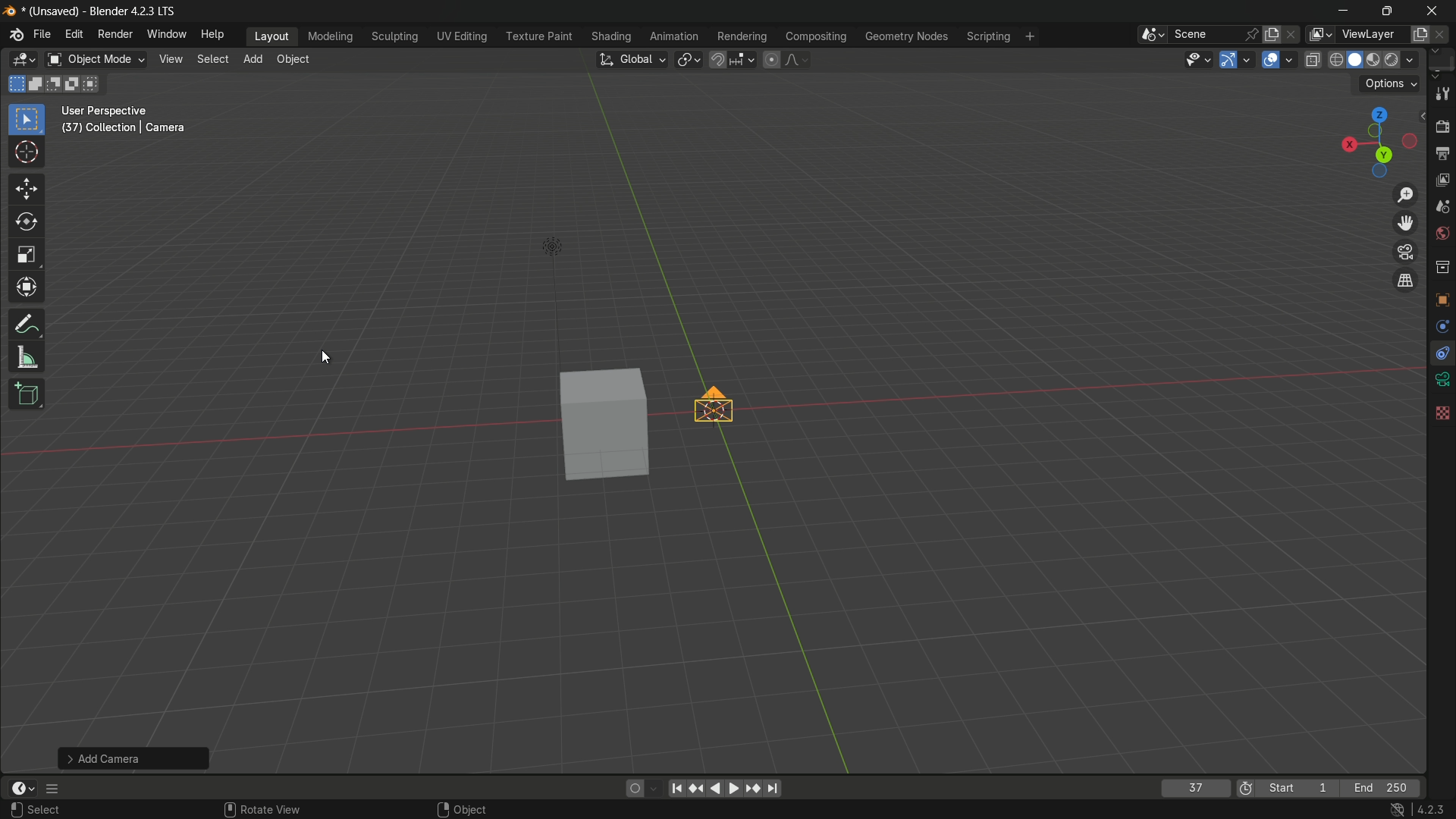 The image size is (1456, 819). Describe the element at coordinates (633, 61) in the screenshot. I see `transform orientation` at that location.